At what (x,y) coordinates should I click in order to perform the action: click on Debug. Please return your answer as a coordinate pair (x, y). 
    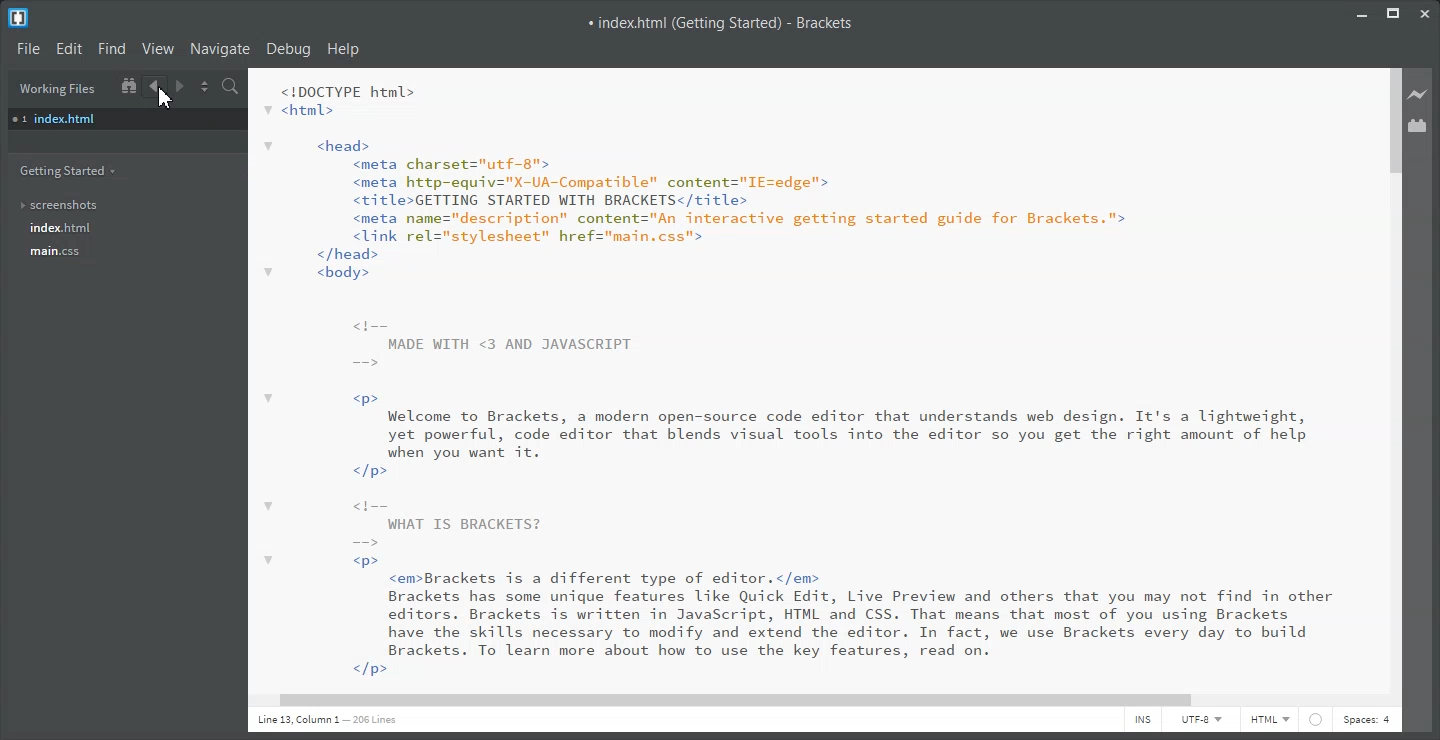
    Looking at the image, I should click on (287, 49).